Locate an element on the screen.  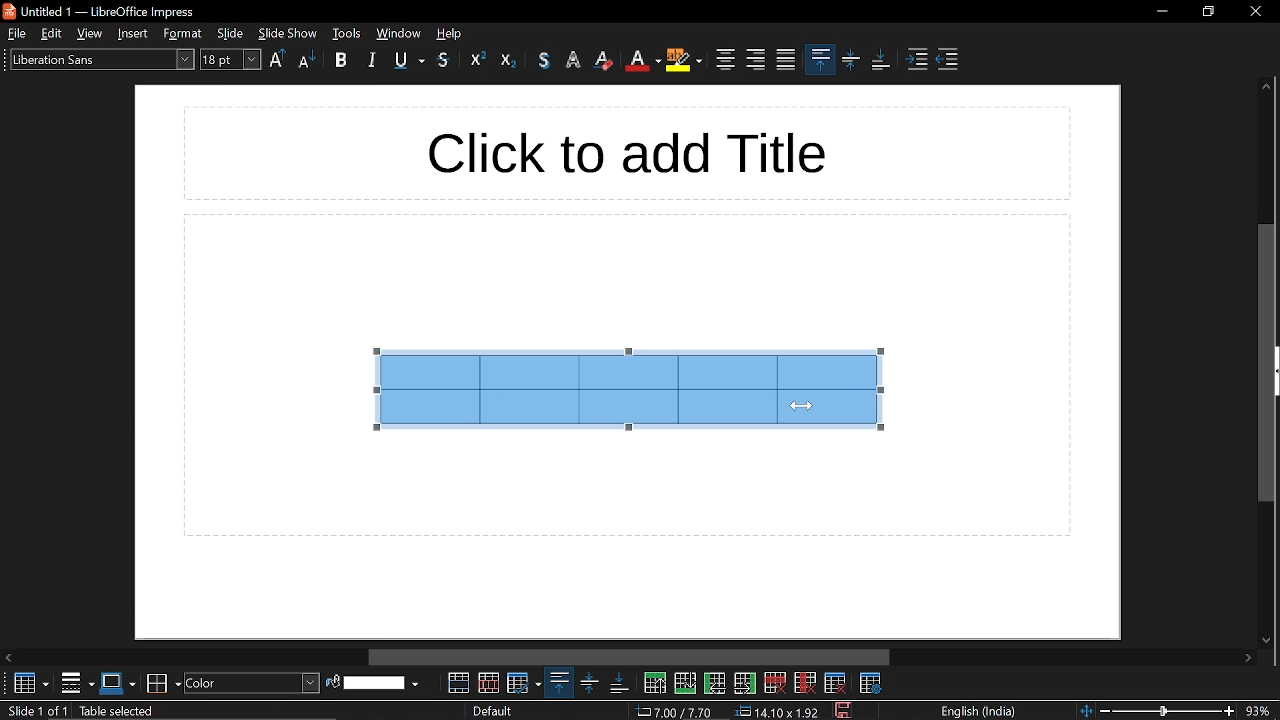
delete row  is located at coordinates (774, 682).